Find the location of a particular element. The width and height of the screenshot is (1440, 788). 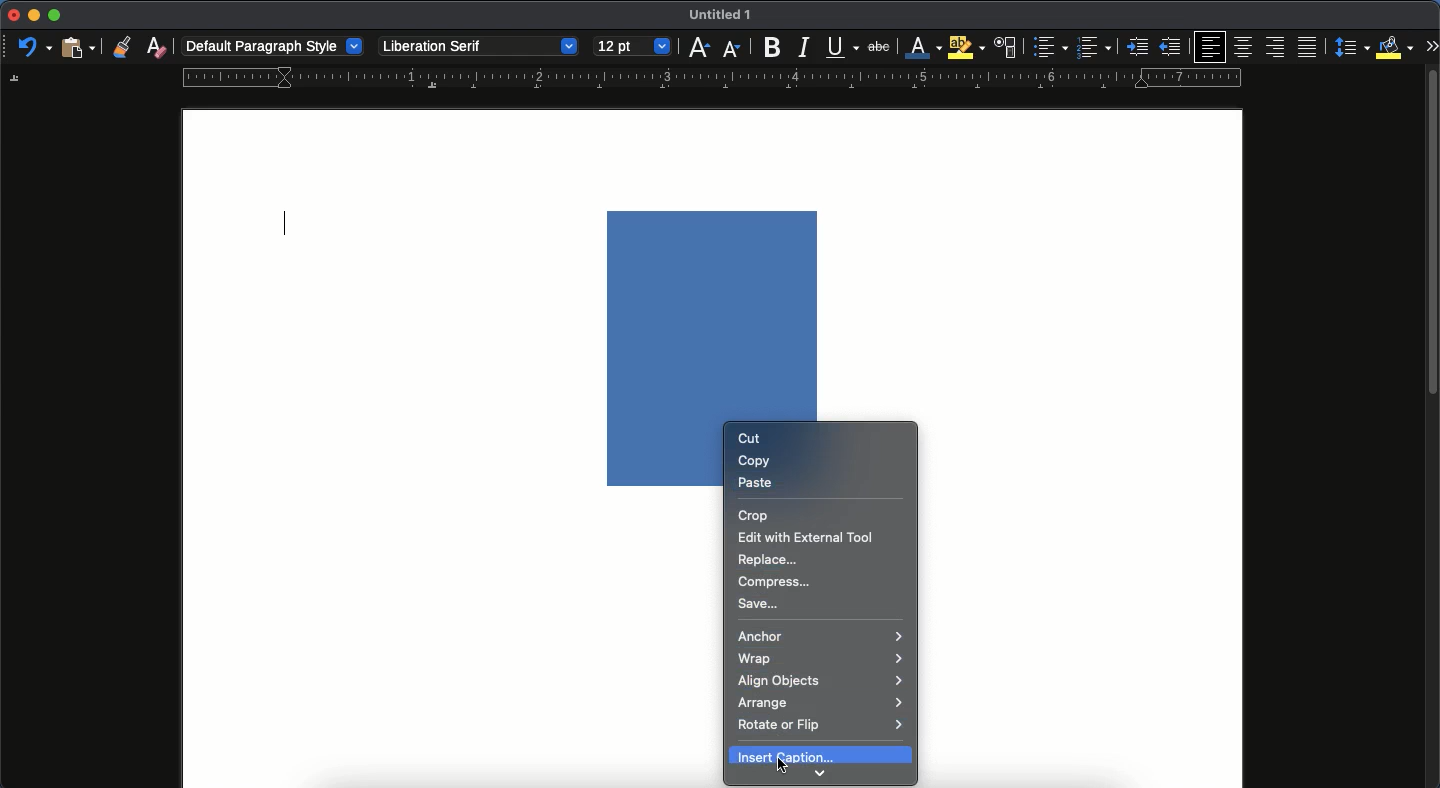

paragraph spacing is located at coordinates (1355, 46).